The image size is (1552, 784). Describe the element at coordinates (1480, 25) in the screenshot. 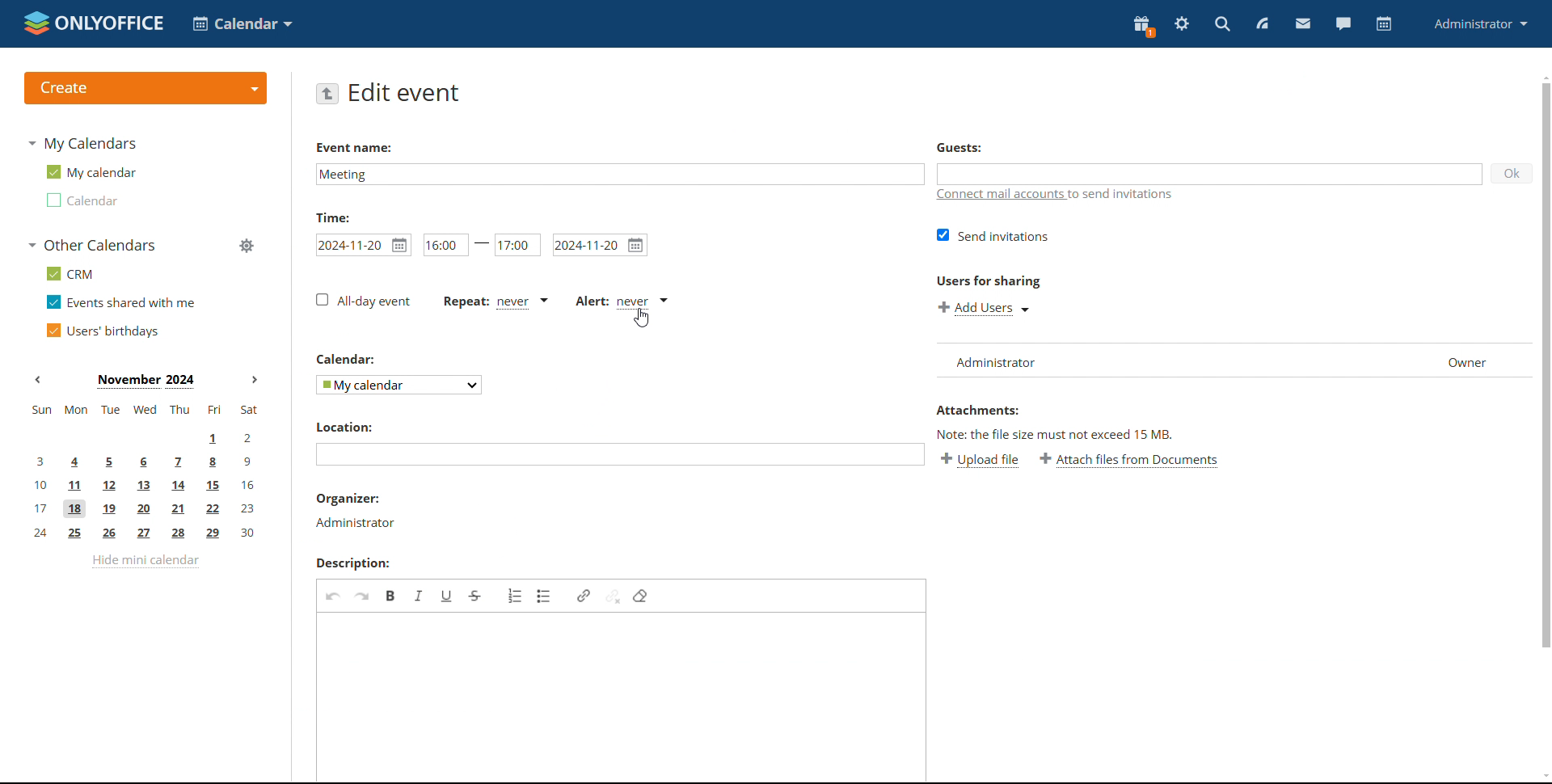

I see `profile` at that location.